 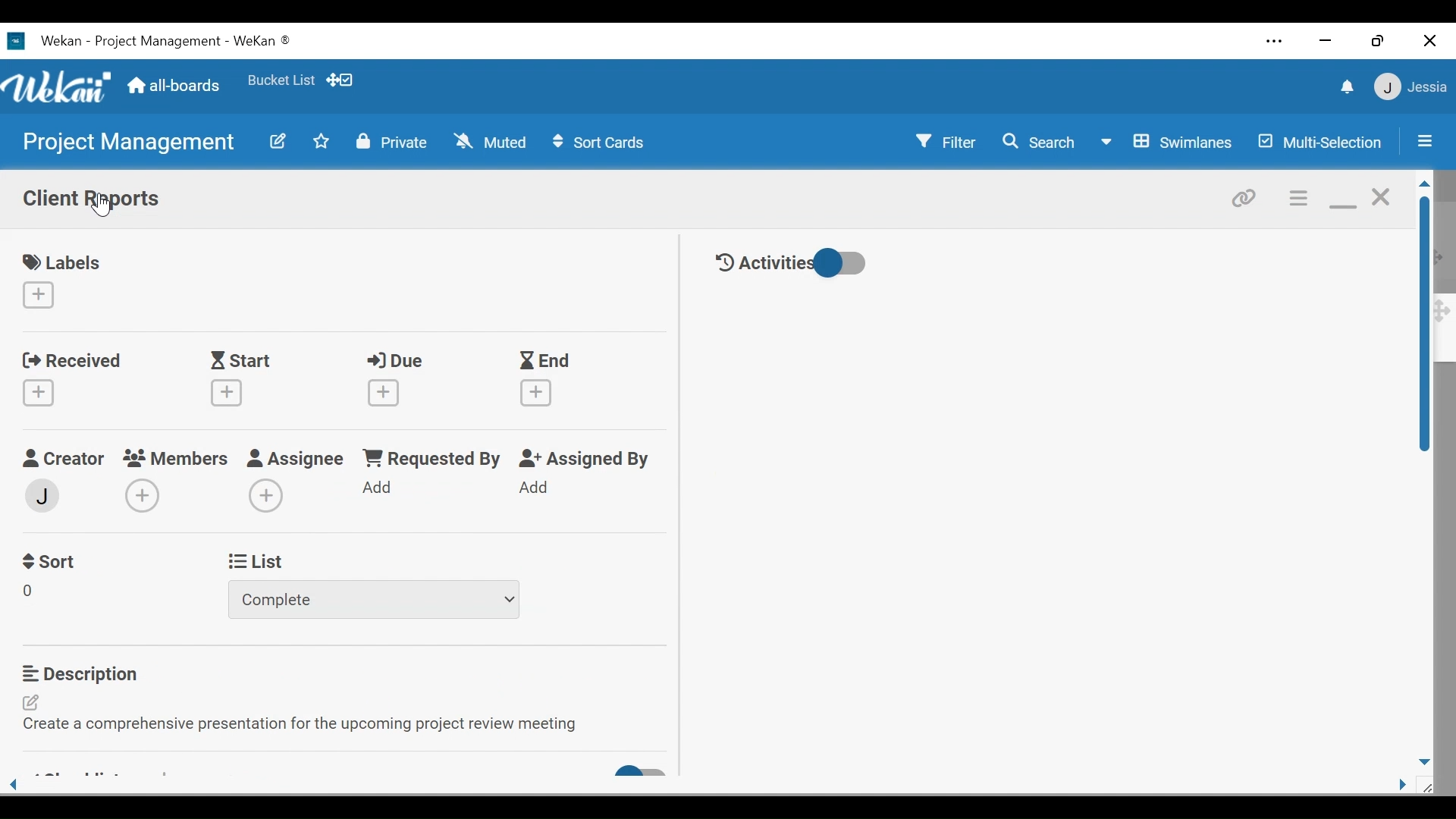 What do you see at coordinates (534, 392) in the screenshot?
I see `Create End Date` at bounding box center [534, 392].